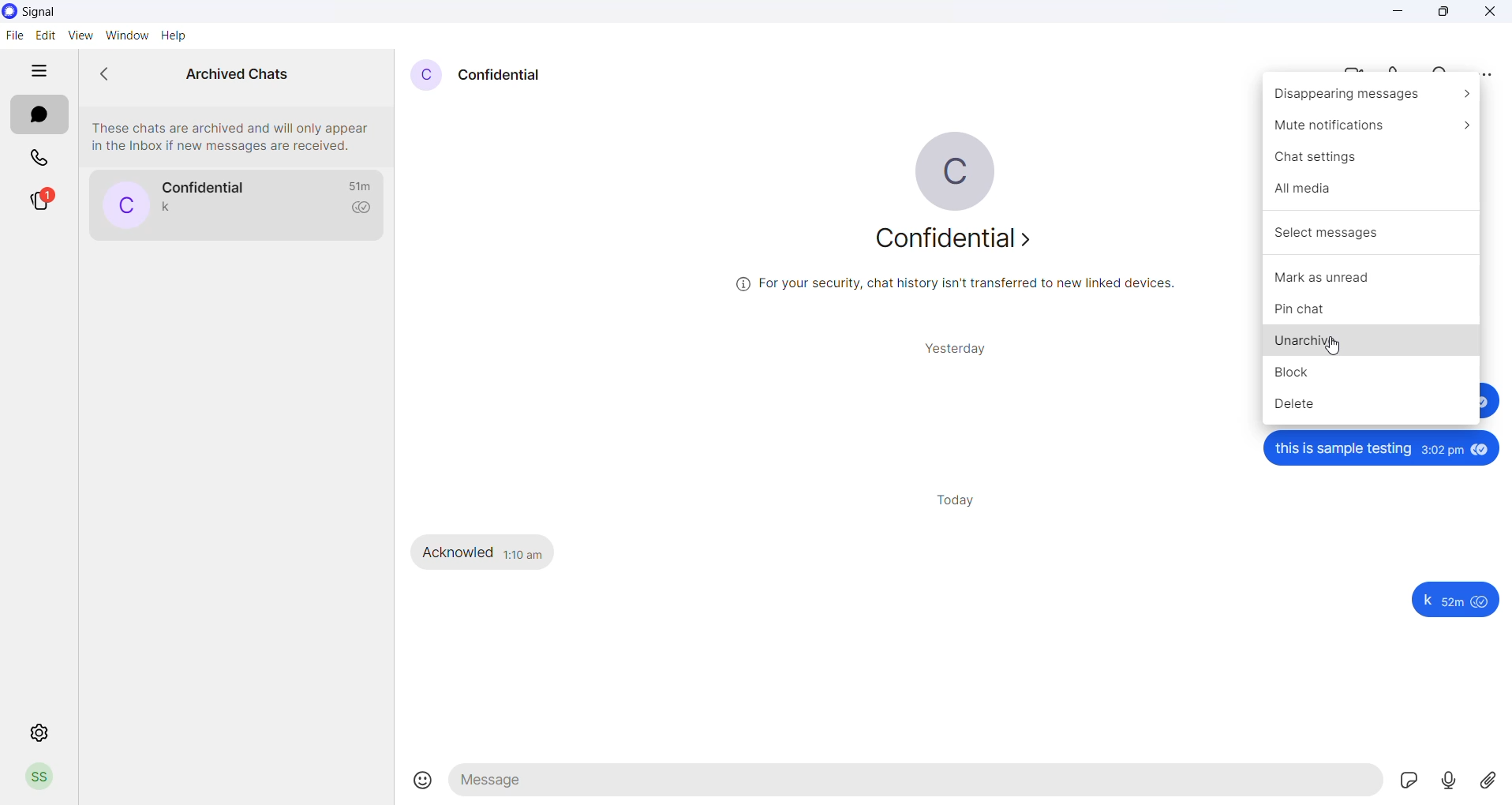  Describe the element at coordinates (417, 781) in the screenshot. I see `emojis` at that location.